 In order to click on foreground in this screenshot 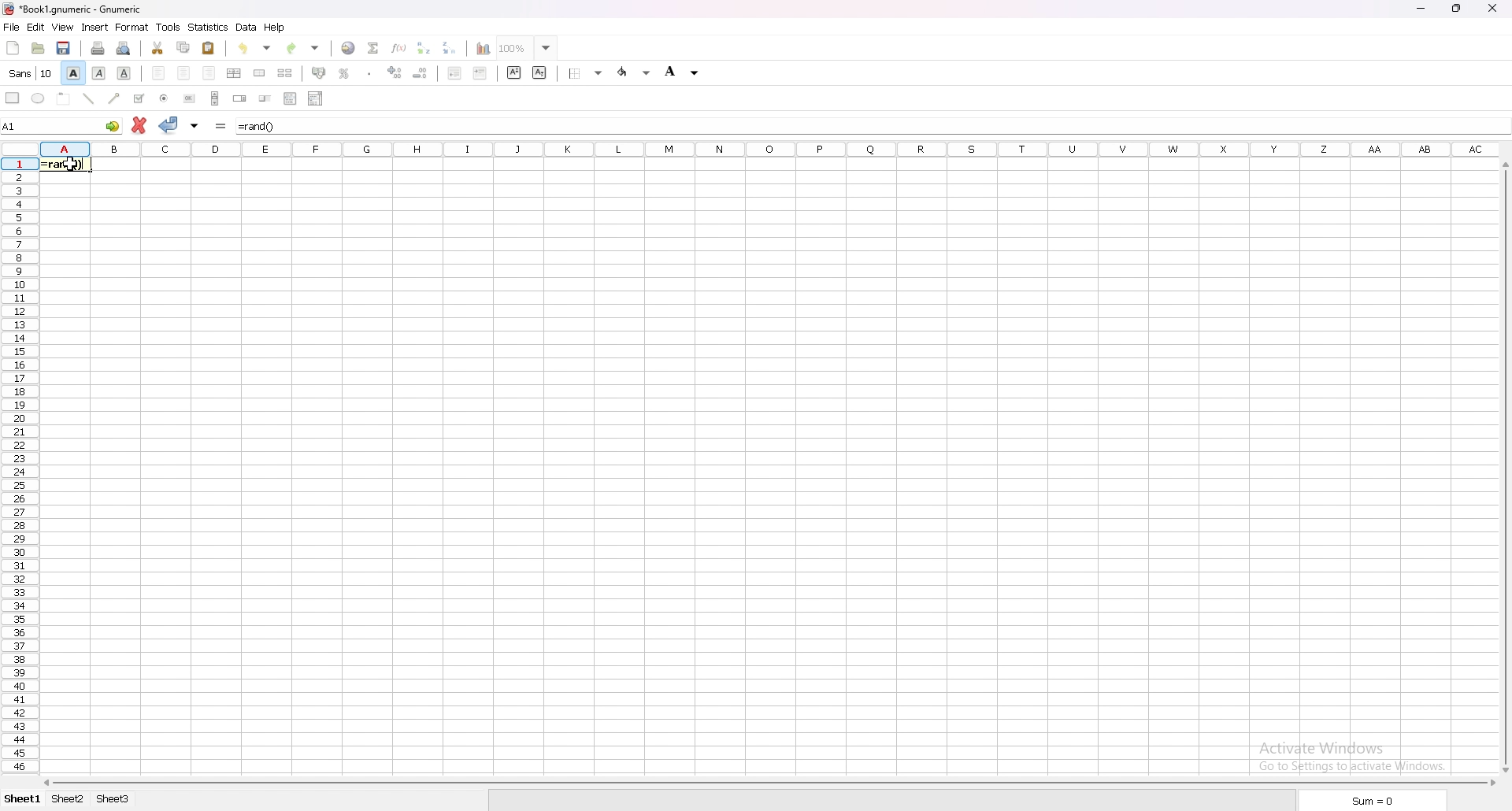, I will do `click(636, 72)`.